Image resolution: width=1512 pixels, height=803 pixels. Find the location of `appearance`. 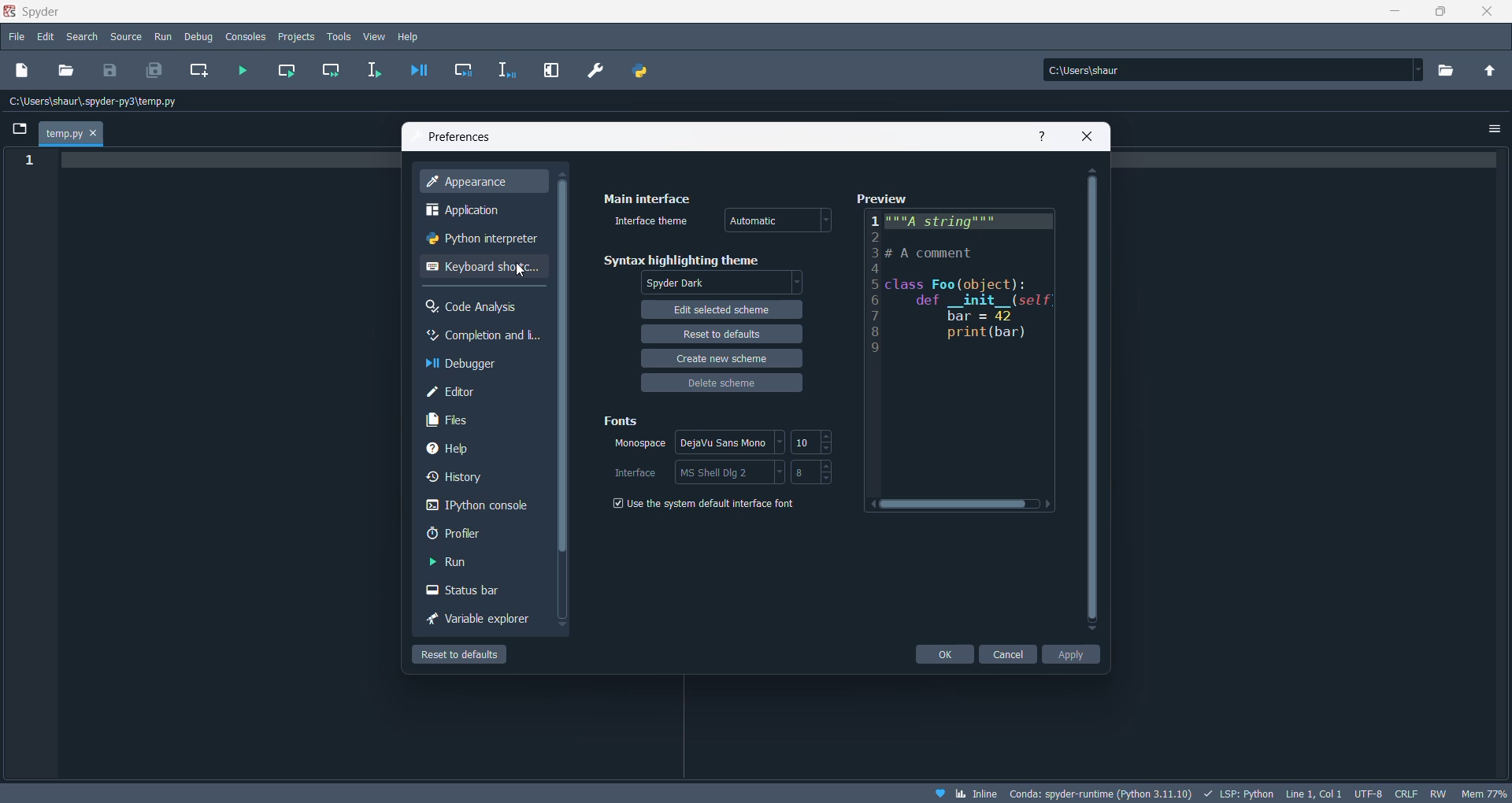

appearance is located at coordinates (480, 183).